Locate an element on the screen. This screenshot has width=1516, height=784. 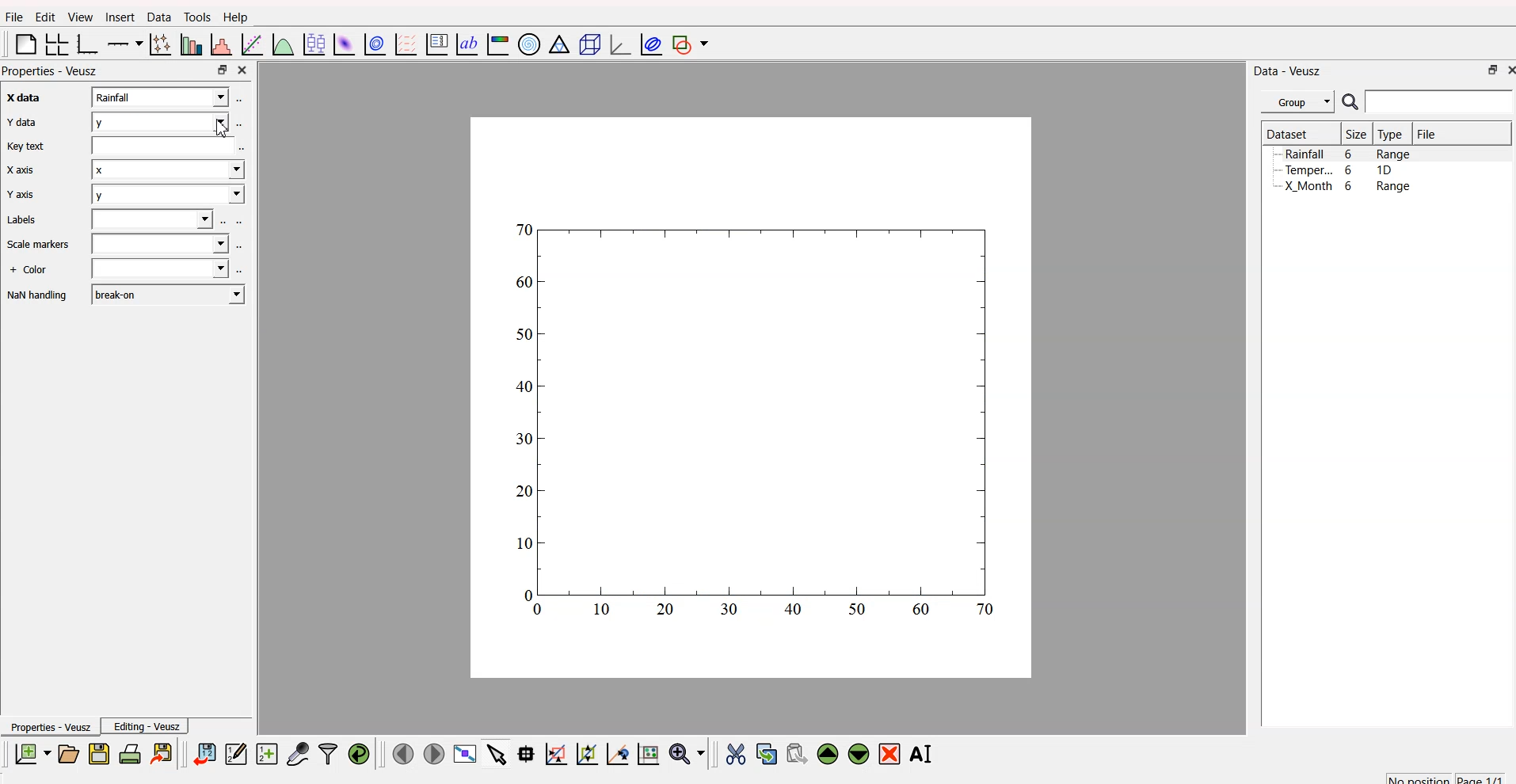
maximize is located at coordinates (221, 70).